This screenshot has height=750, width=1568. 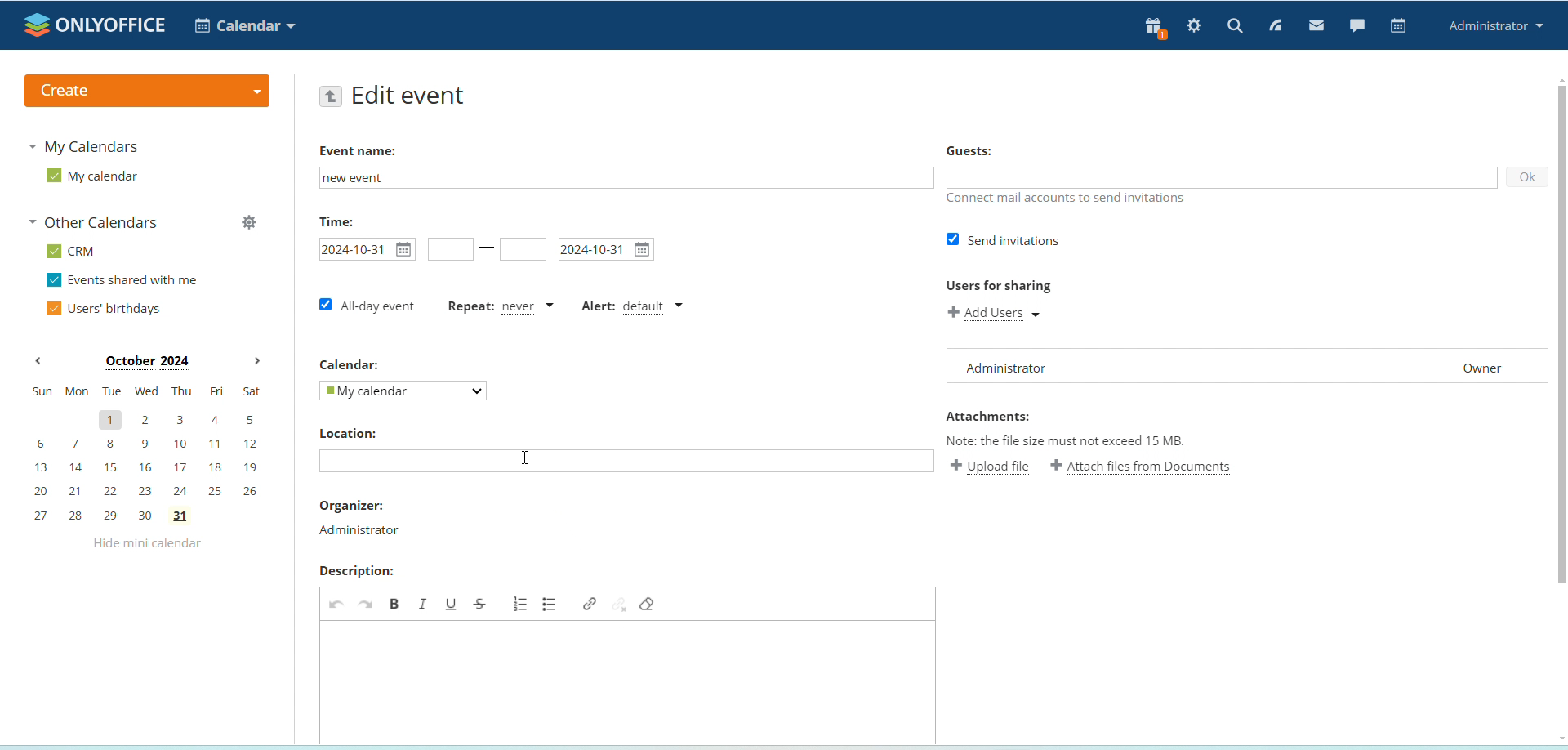 What do you see at coordinates (355, 571) in the screenshot?
I see `Description` at bounding box center [355, 571].